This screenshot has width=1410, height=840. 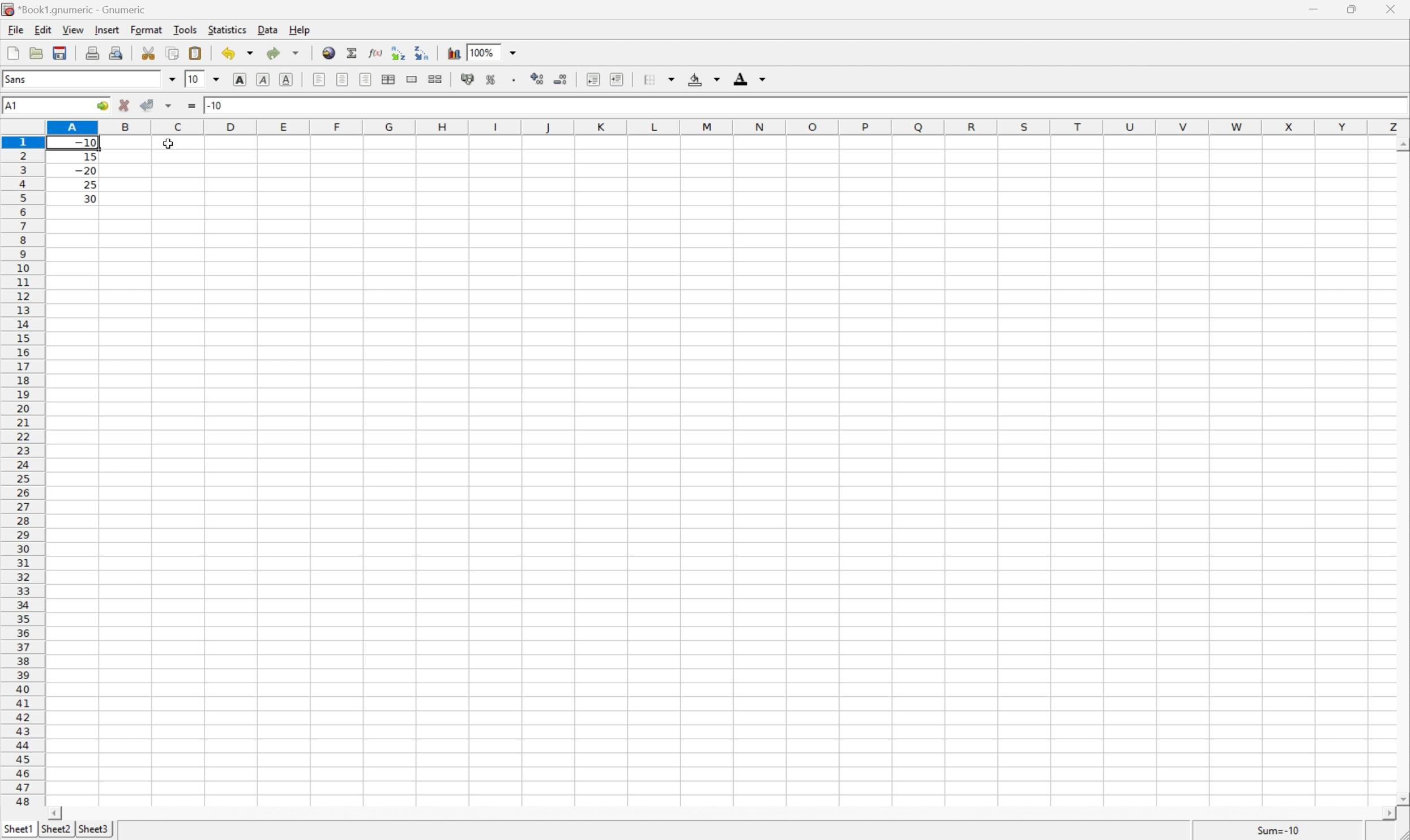 What do you see at coordinates (454, 52) in the screenshot?
I see `Insert chart` at bounding box center [454, 52].